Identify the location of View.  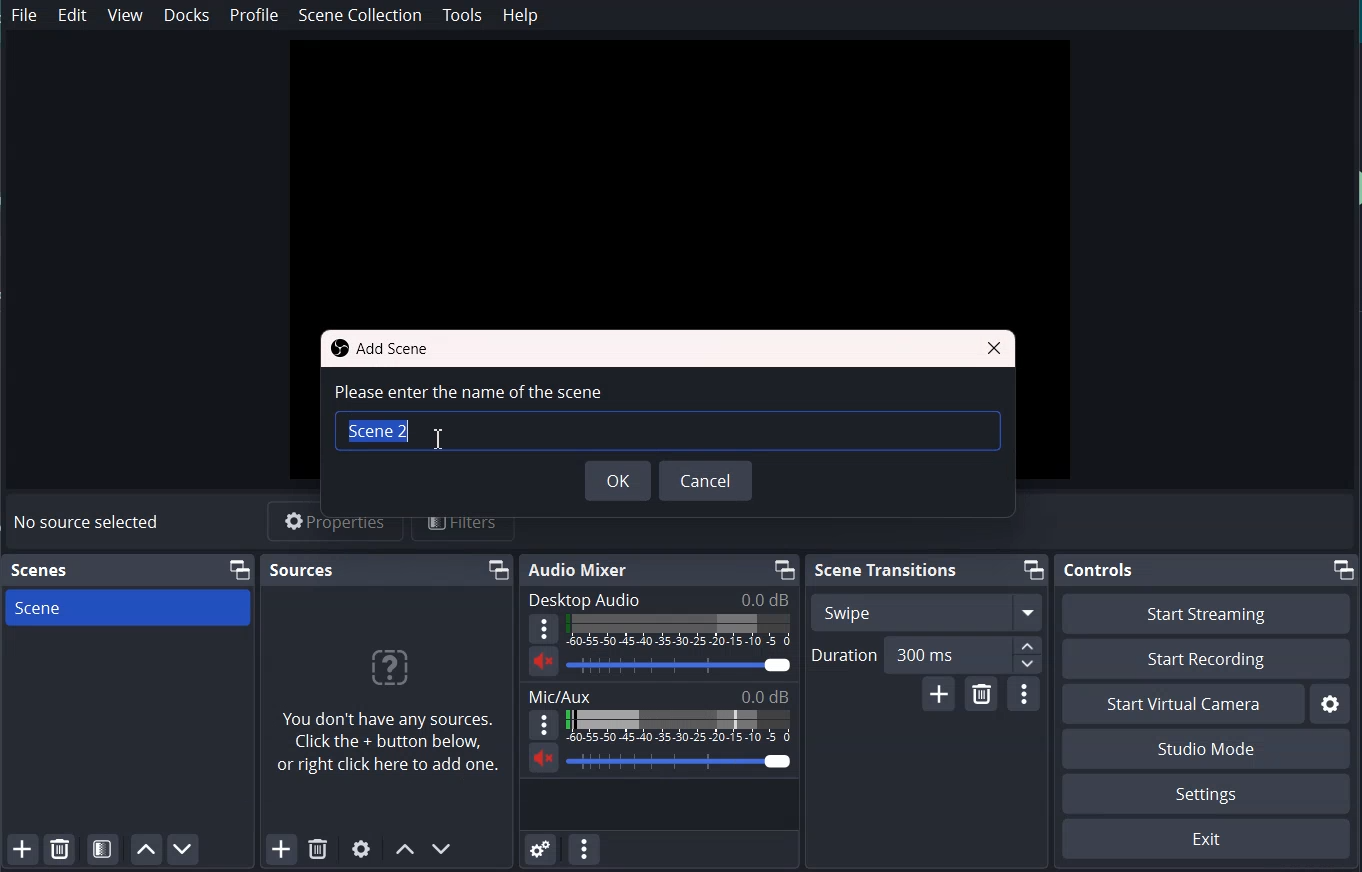
(127, 15).